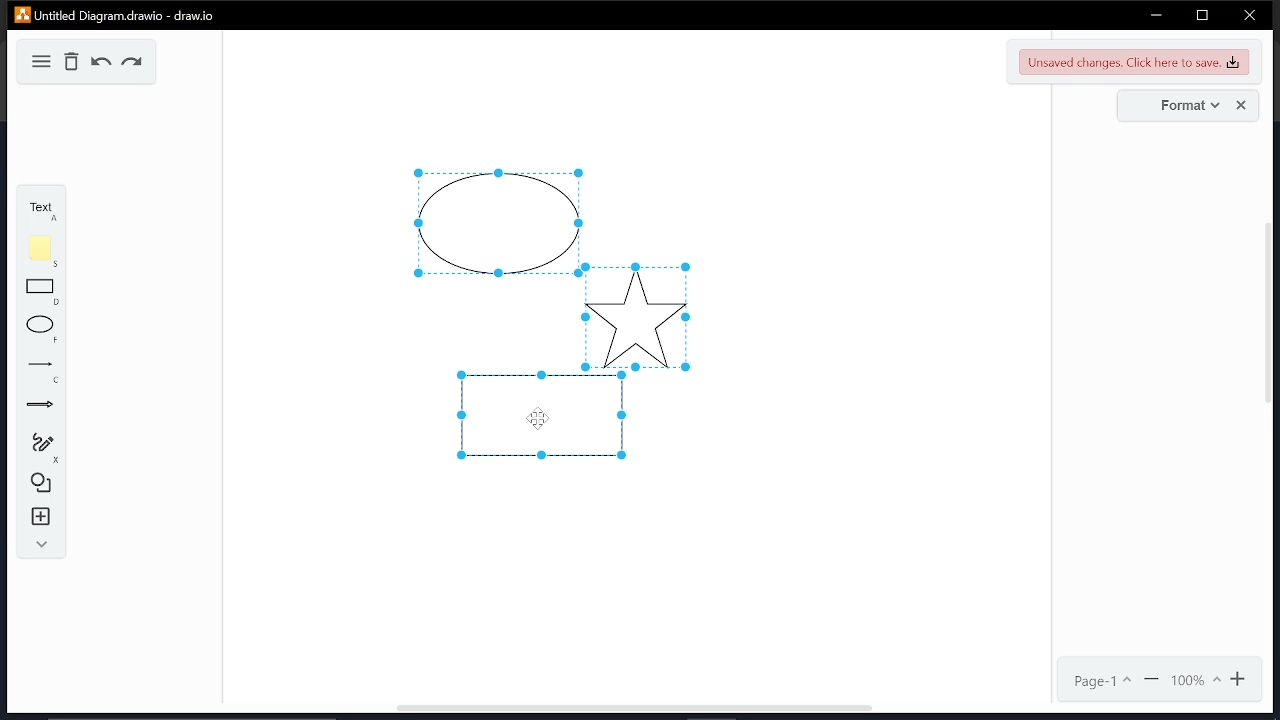 The width and height of the screenshot is (1280, 720). What do you see at coordinates (38, 60) in the screenshot?
I see `diagram` at bounding box center [38, 60].